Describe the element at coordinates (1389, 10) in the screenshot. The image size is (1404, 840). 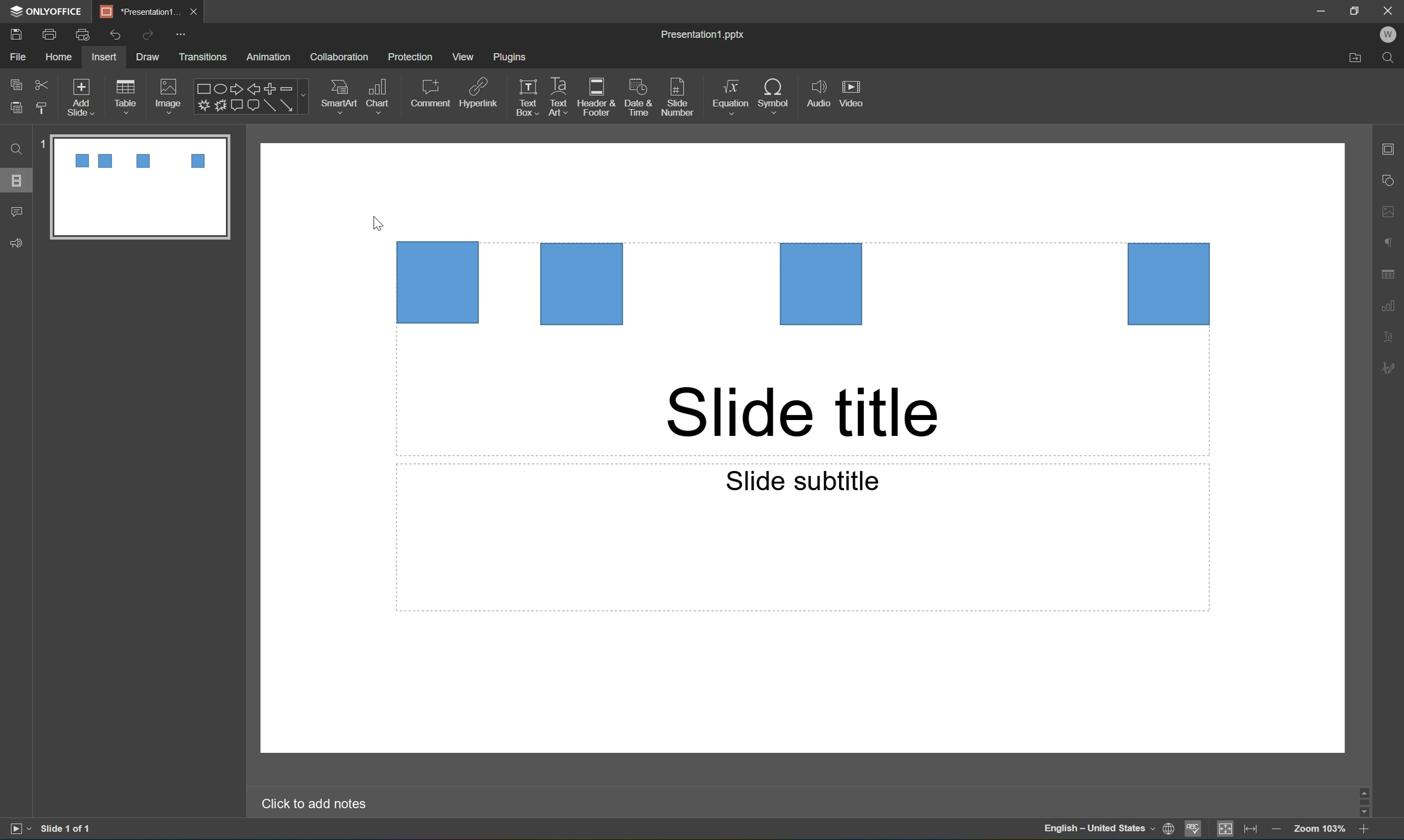
I see `close` at that location.